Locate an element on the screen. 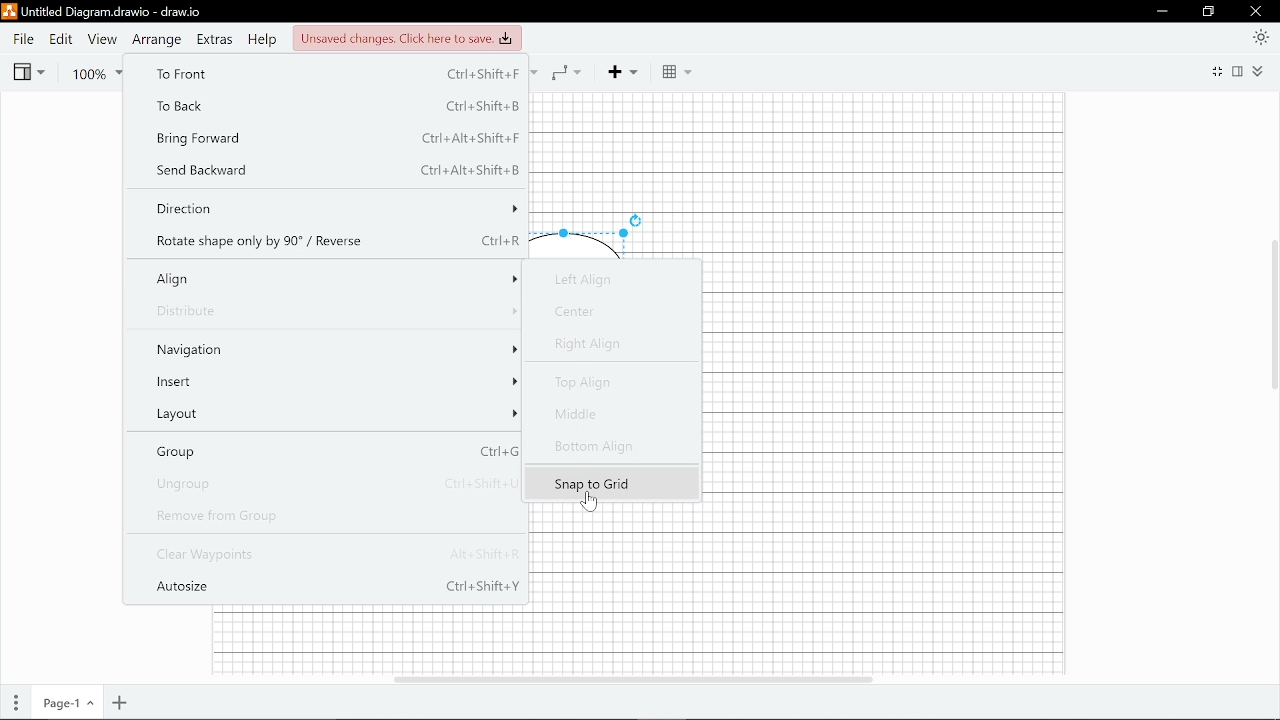  rotate shape by 90 degrees/ Reverse Ctrl+R is located at coordinates (334, 240).